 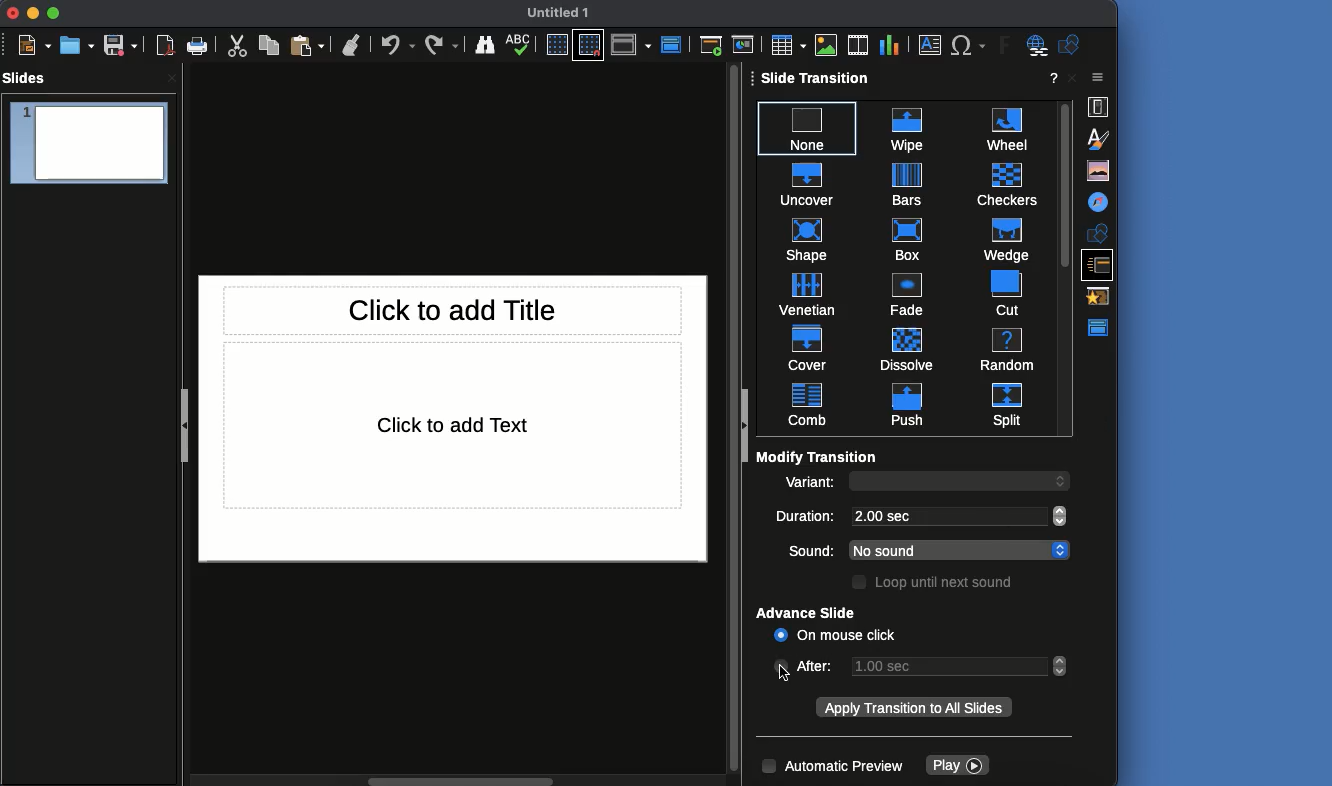 I want to click on wipe, so click(x=905, y=126).